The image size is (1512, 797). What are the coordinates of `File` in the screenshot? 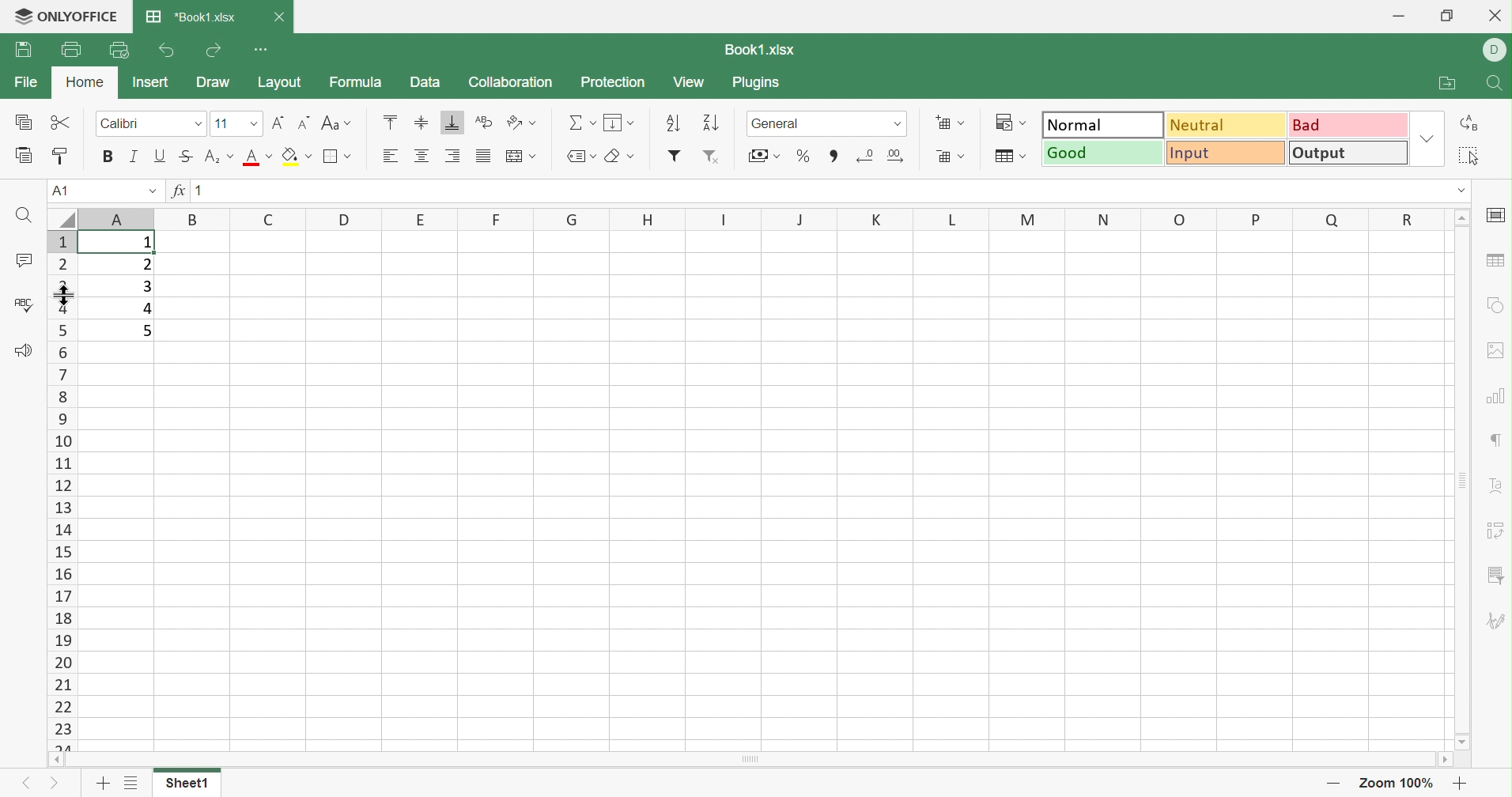 It's located at (24, 83).